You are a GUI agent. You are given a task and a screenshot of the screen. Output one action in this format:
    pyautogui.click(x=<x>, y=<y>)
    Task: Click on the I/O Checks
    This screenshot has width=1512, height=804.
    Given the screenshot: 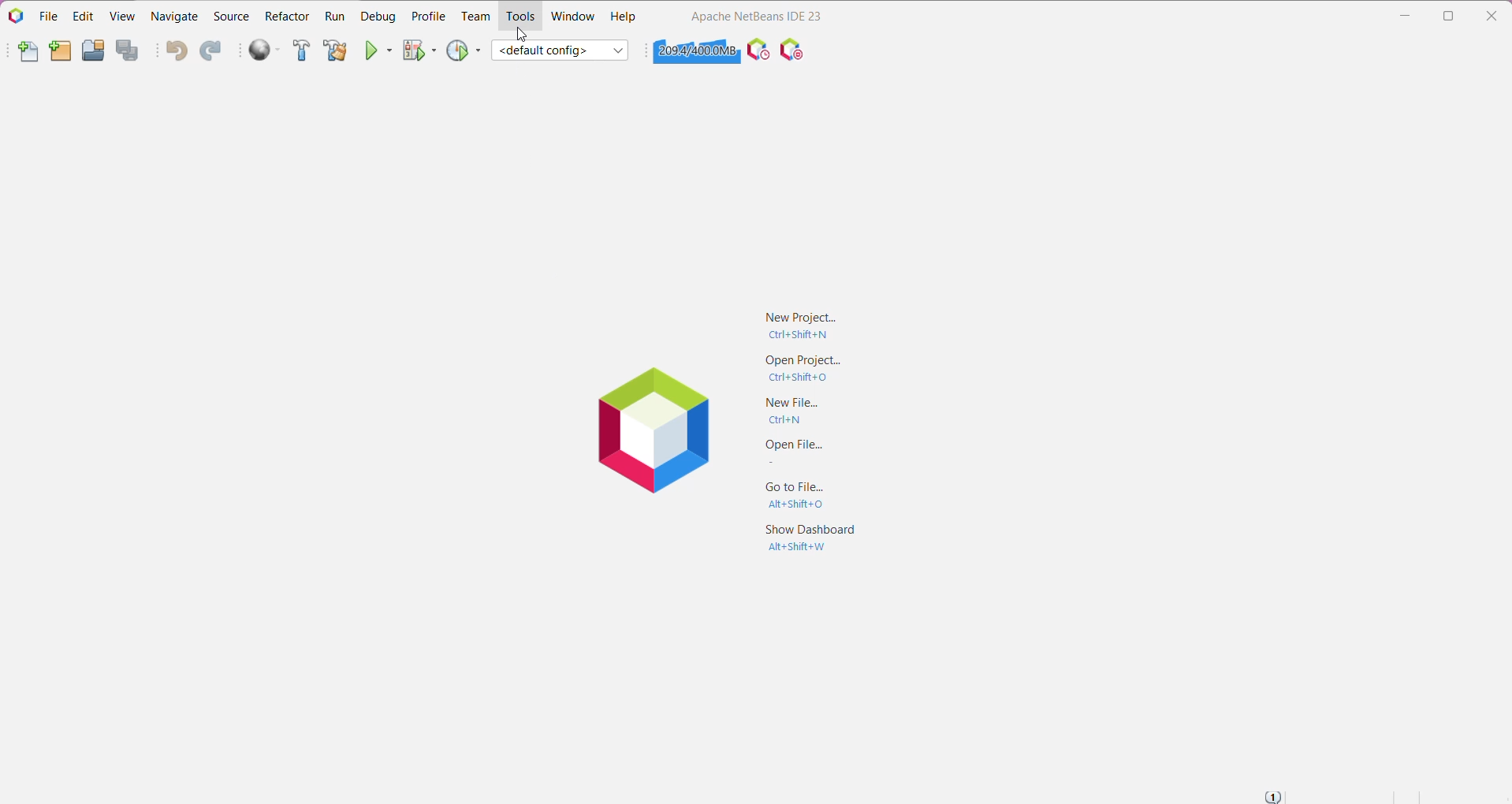 What is the action you would take?
    pyautogui.click(x=794, y=49)
    